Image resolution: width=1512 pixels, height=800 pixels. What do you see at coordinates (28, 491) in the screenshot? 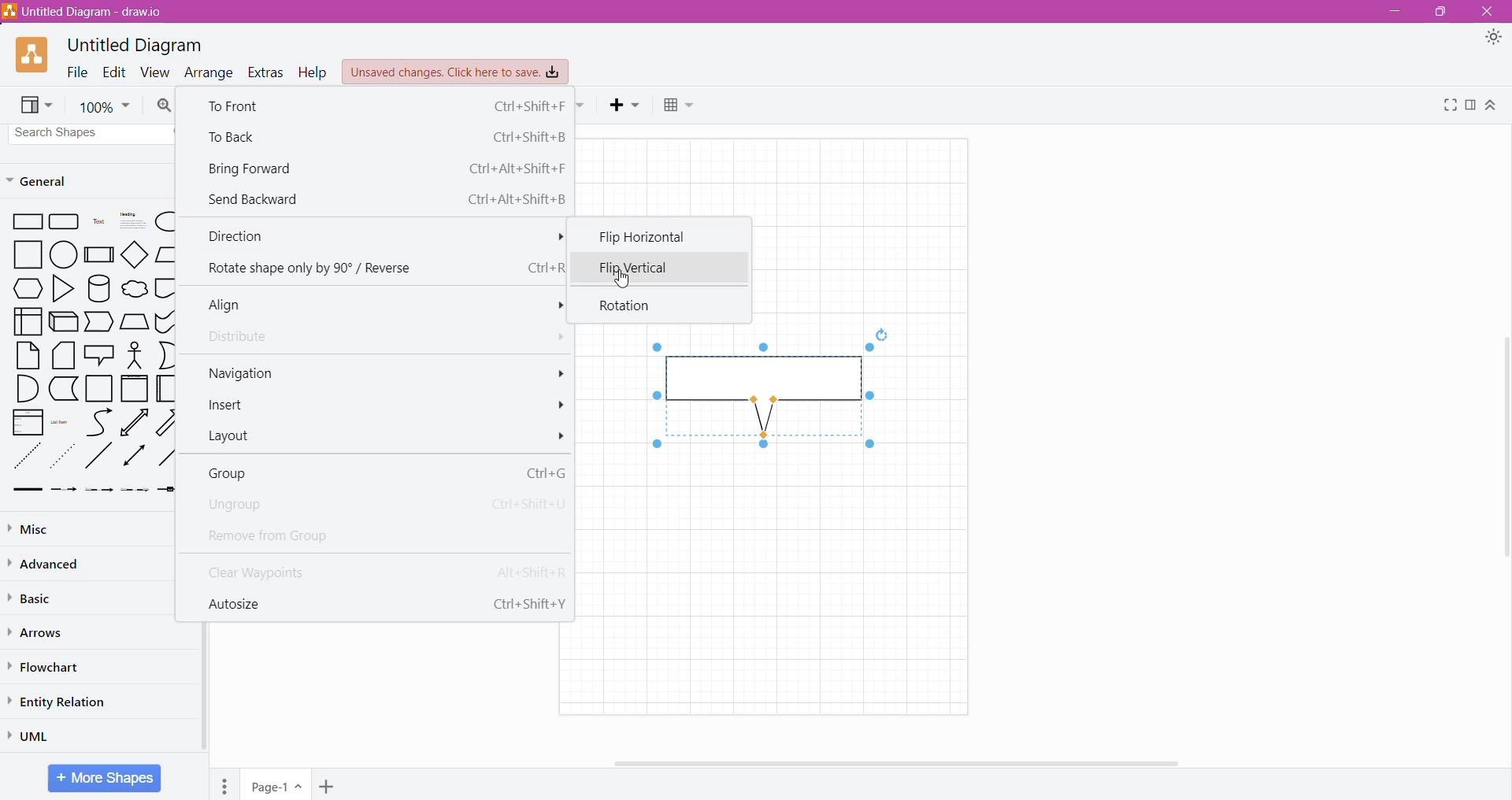
I see `Thick line` at bounding box center [28, 491].